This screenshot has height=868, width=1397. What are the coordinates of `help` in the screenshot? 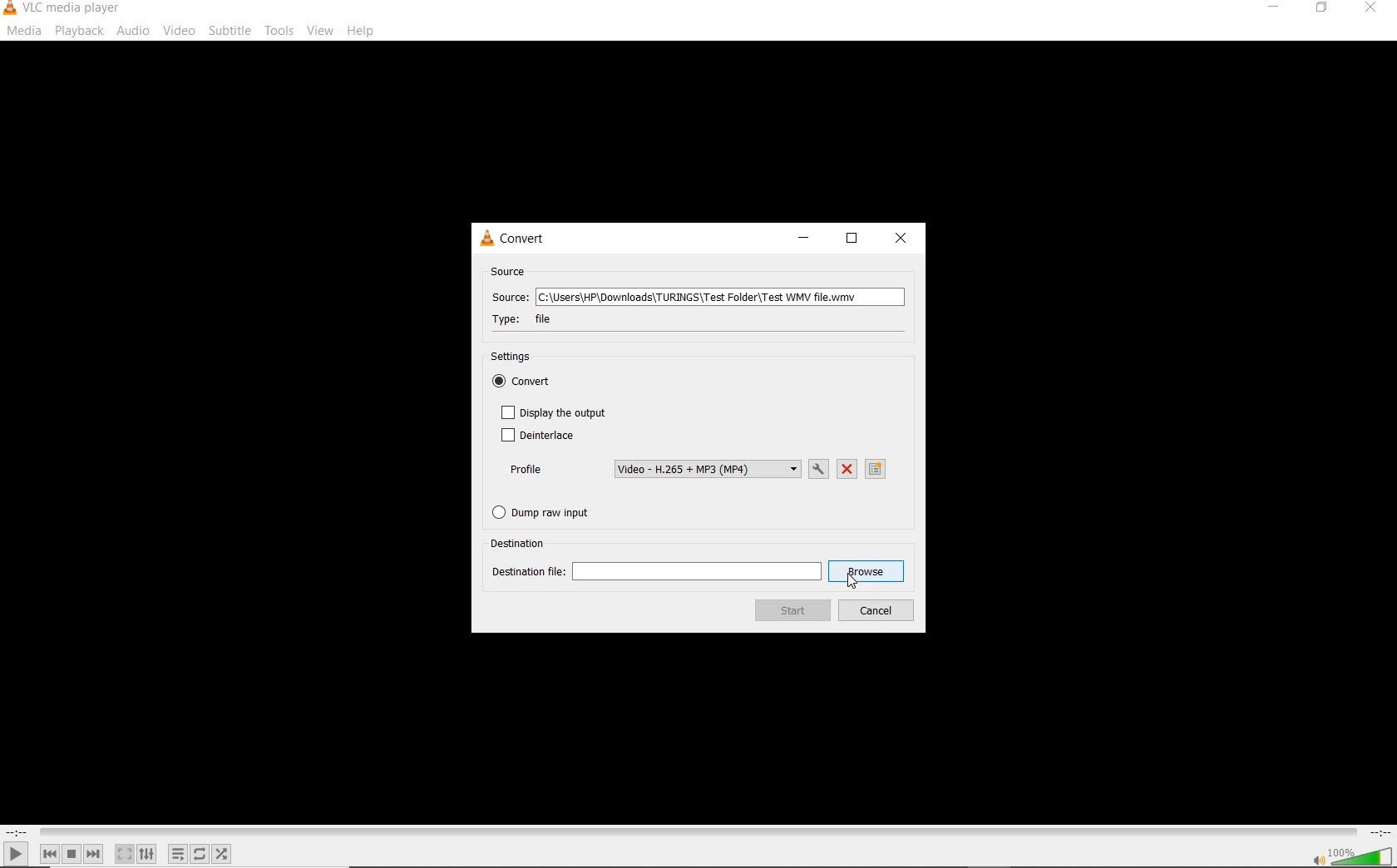 It's located at (361, 32).